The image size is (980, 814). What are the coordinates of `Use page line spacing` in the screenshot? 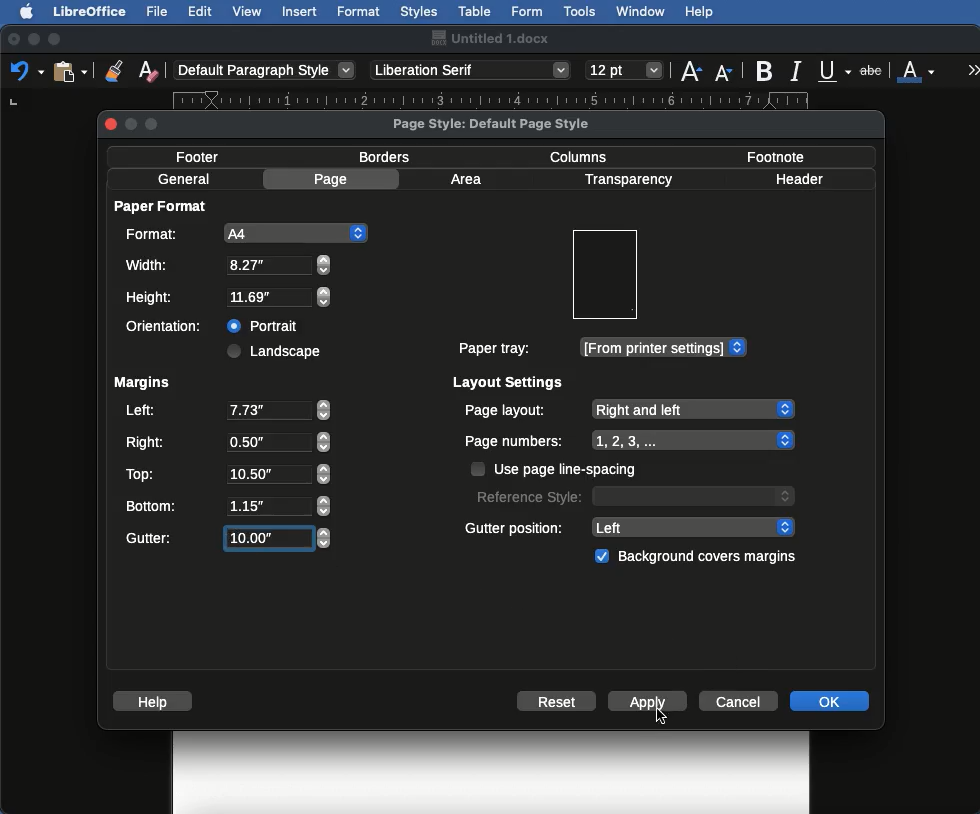 It's located at (556, 469).